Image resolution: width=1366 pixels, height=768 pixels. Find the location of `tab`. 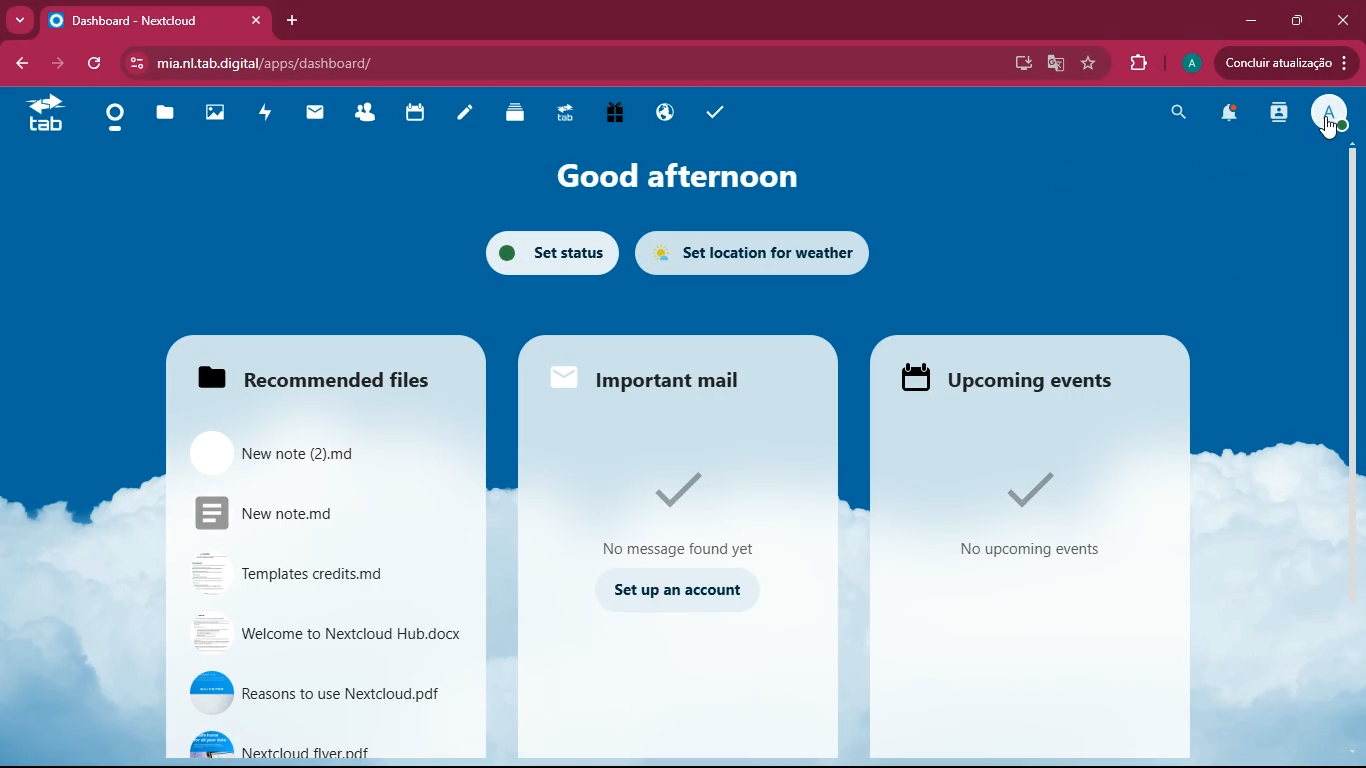

tab is located at coordinates (565, 112).